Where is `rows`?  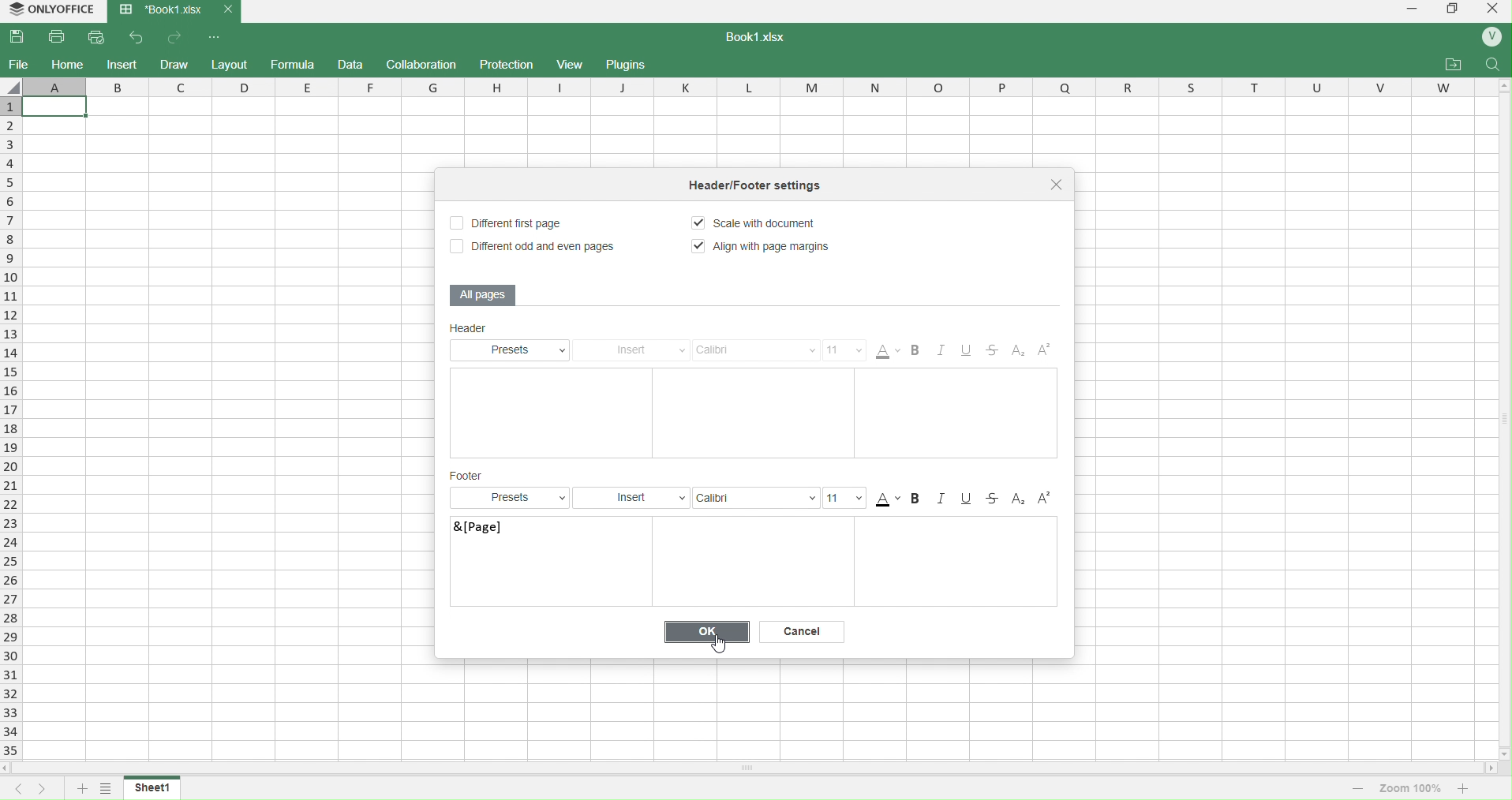
rows is located at coordinates (9, 428).